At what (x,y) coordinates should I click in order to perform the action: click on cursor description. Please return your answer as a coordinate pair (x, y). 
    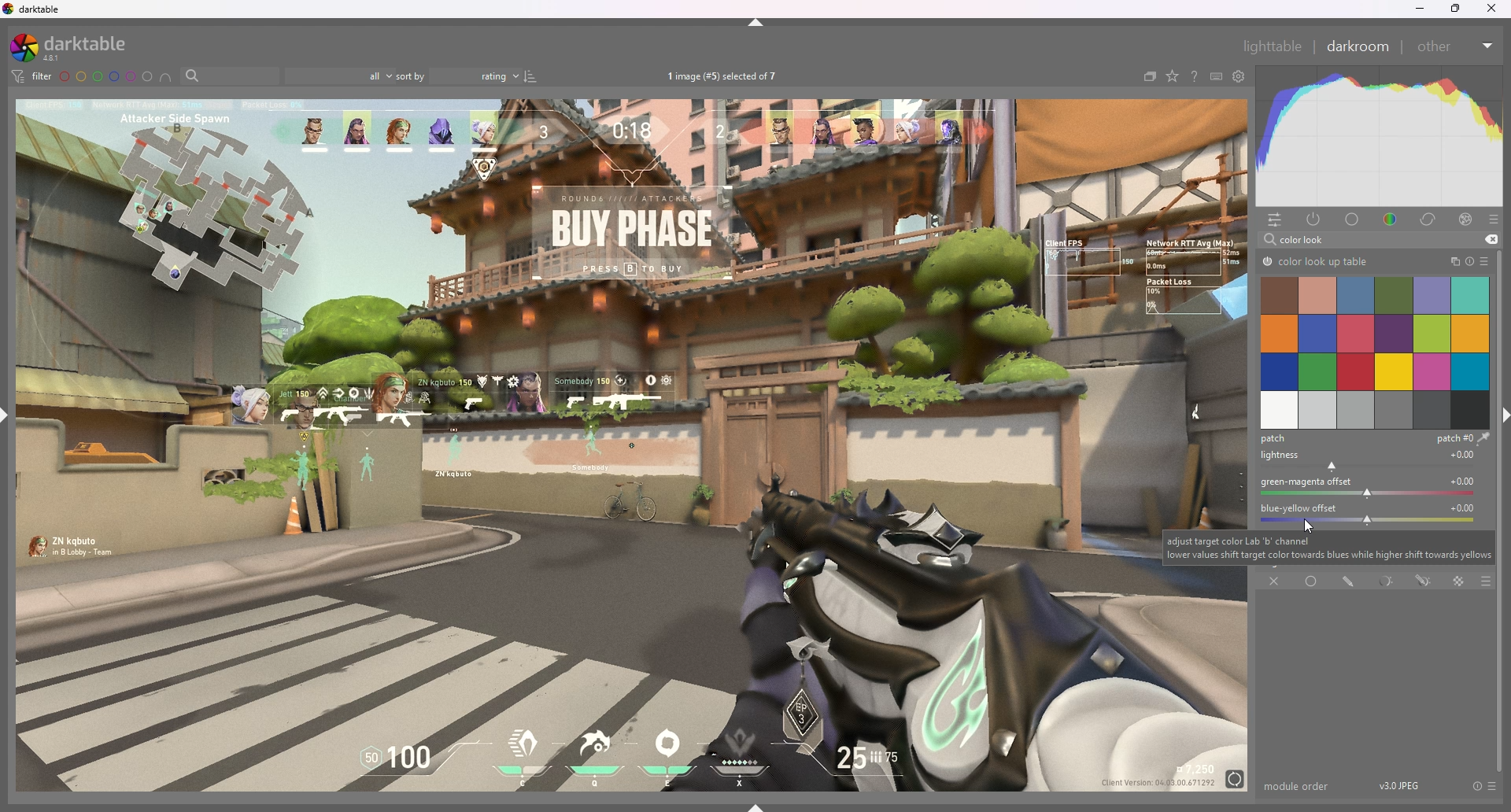
    Looking at the image, I should click on (1328, 548).